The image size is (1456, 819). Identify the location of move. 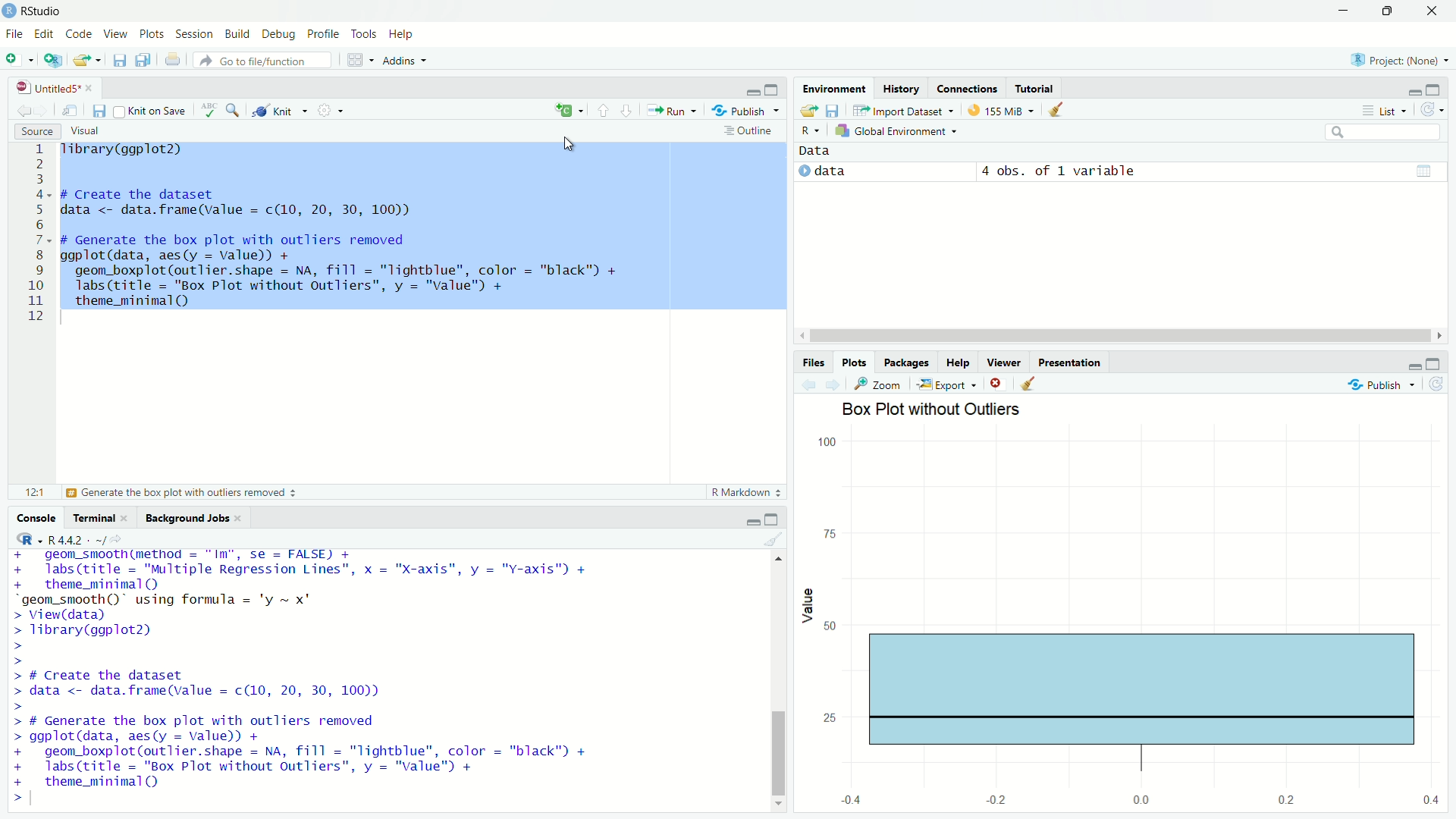
(71, 111).